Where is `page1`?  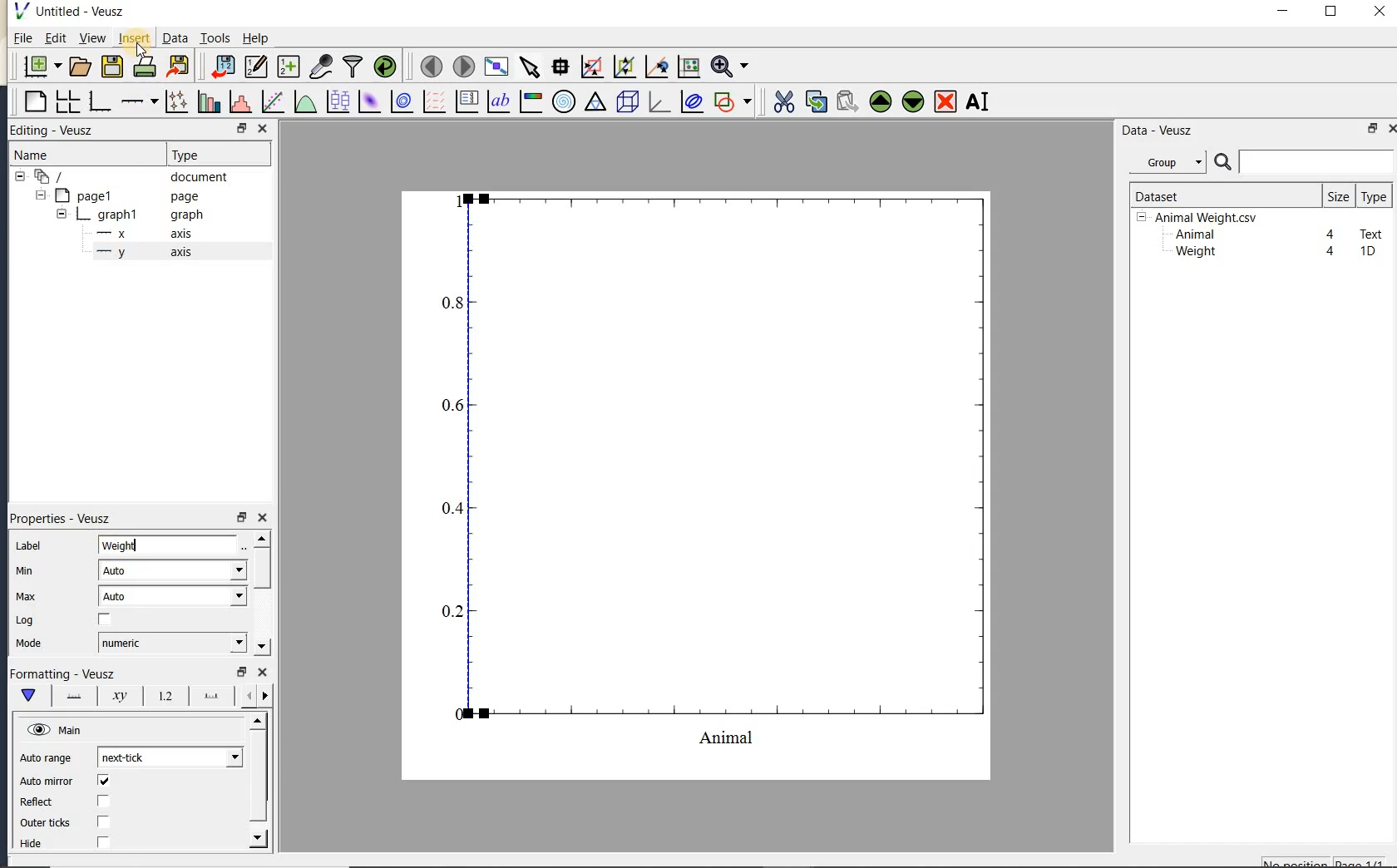
page1 is located at coordinates (119, 197).